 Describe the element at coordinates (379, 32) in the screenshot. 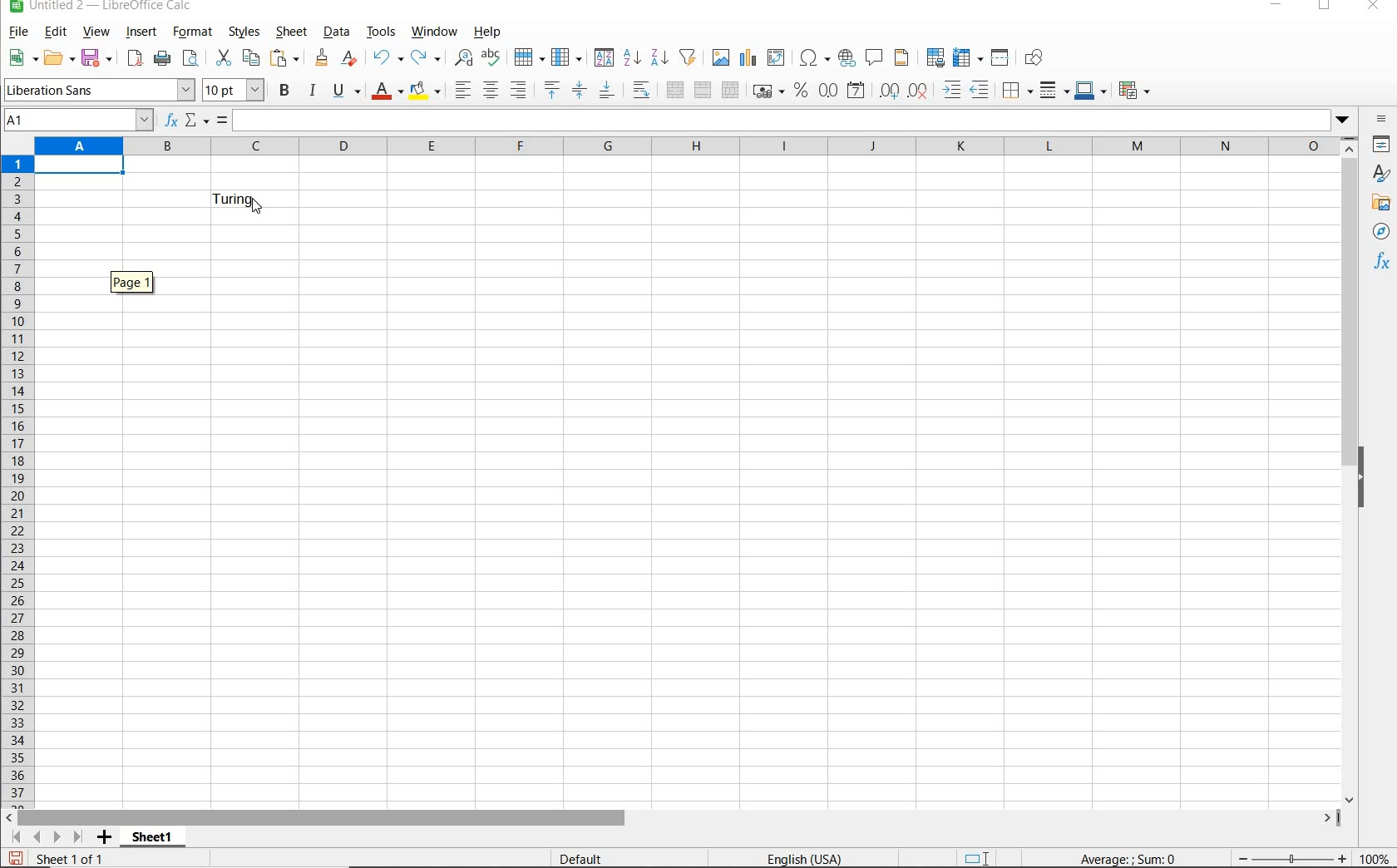

I see `TOOLS` at that location.